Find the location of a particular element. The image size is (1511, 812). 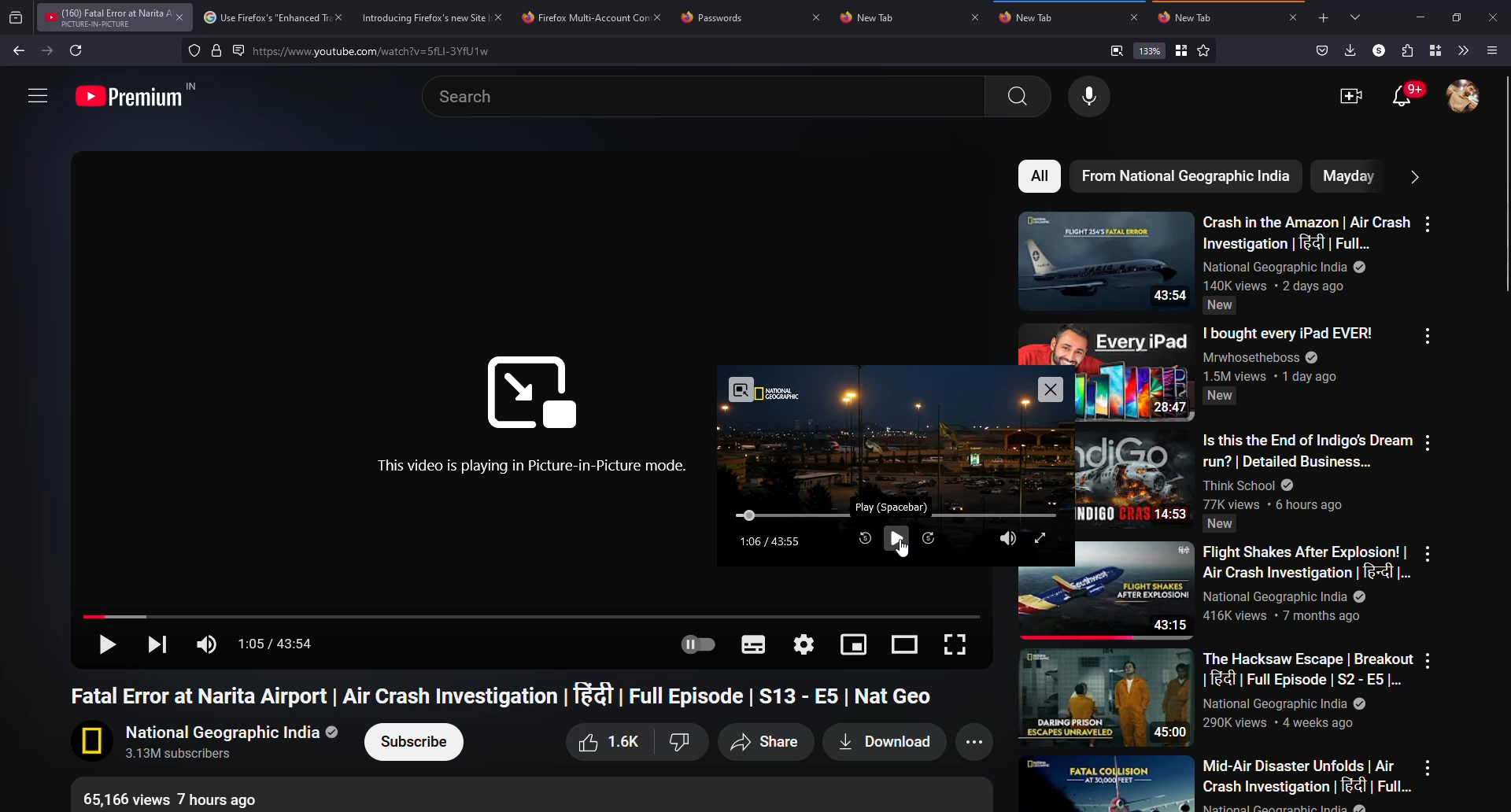

Logo of picture-in-picture mode is located at coordinates (531, 393).